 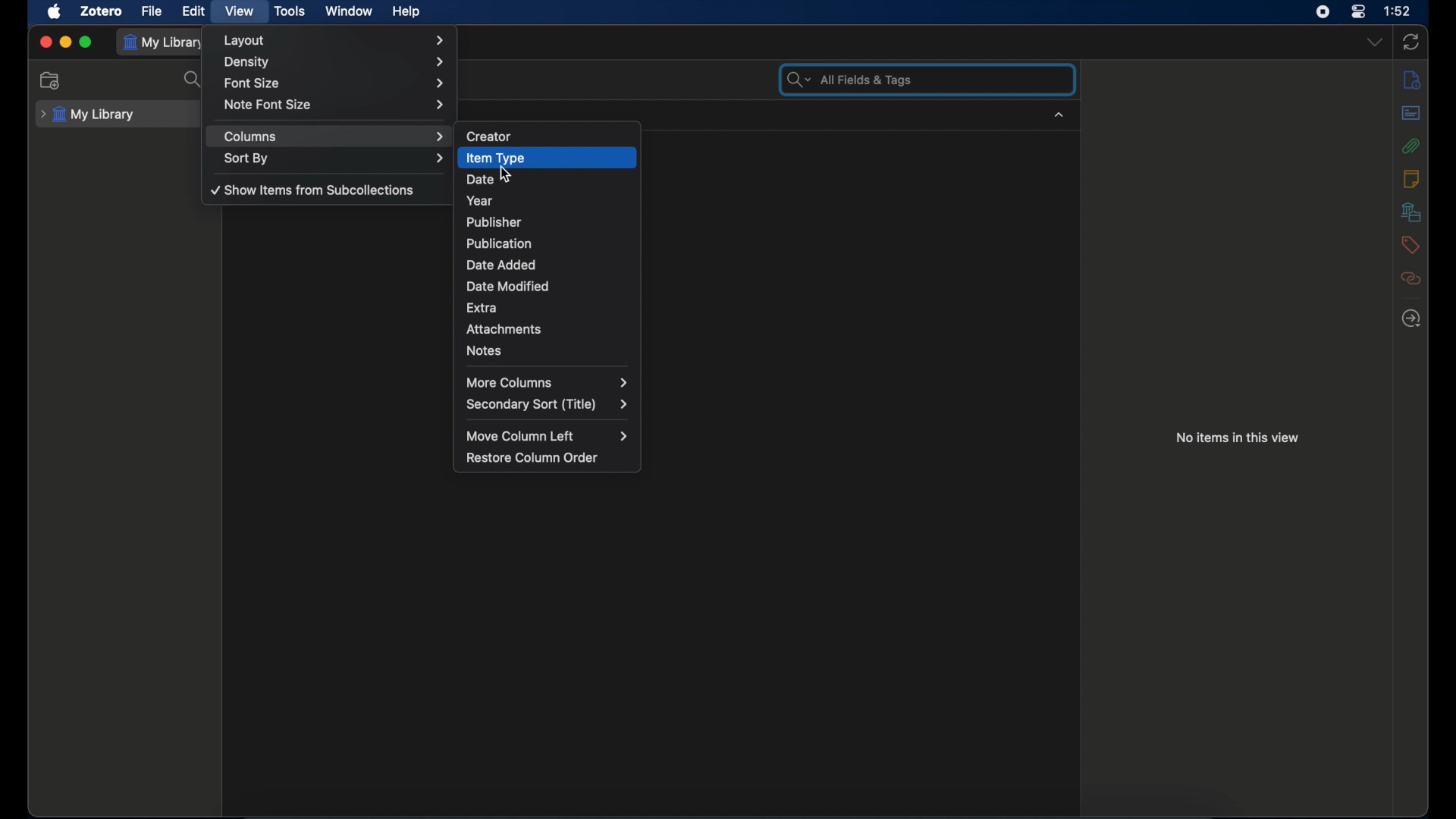 What do you see at coordinates (1375, 42) in the screenshot?
I see `dropdown` at bounding box center [1375, 42].